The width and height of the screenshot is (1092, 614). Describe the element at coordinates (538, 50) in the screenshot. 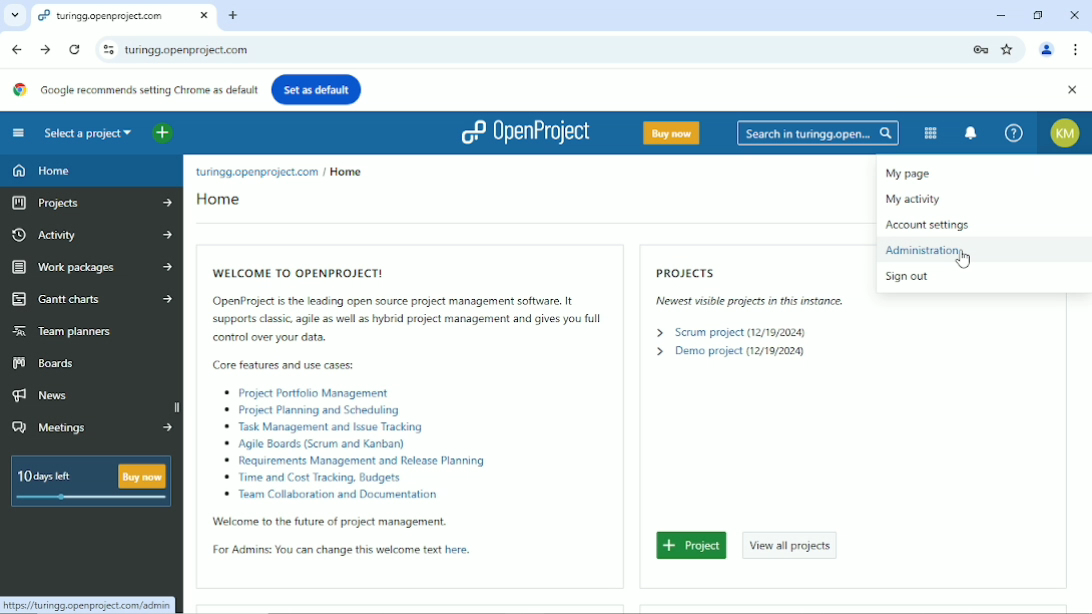

I see `current site link : turingg.openproject.com` at that location.